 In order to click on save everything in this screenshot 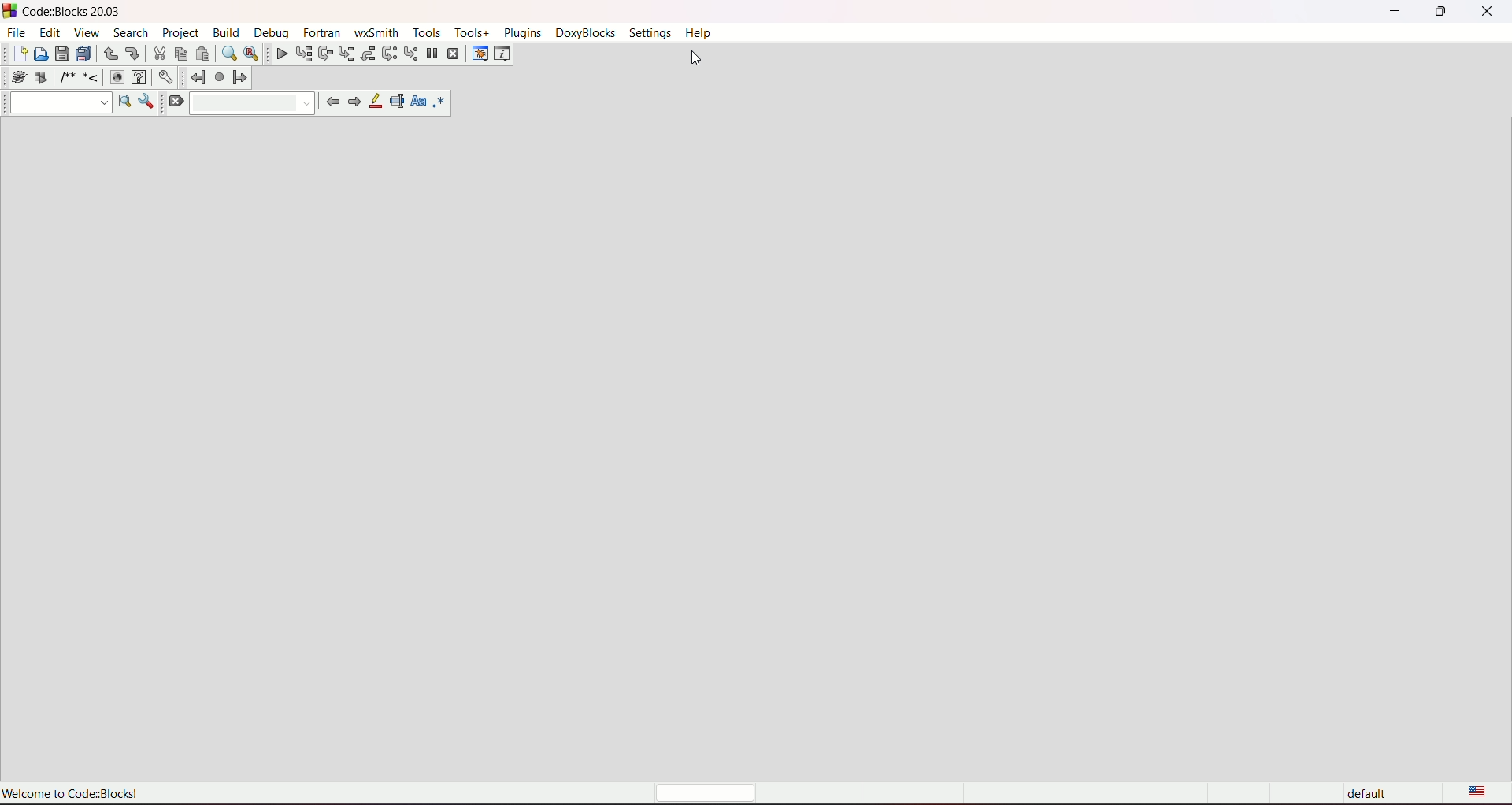, I will do `click(87, 54)`.